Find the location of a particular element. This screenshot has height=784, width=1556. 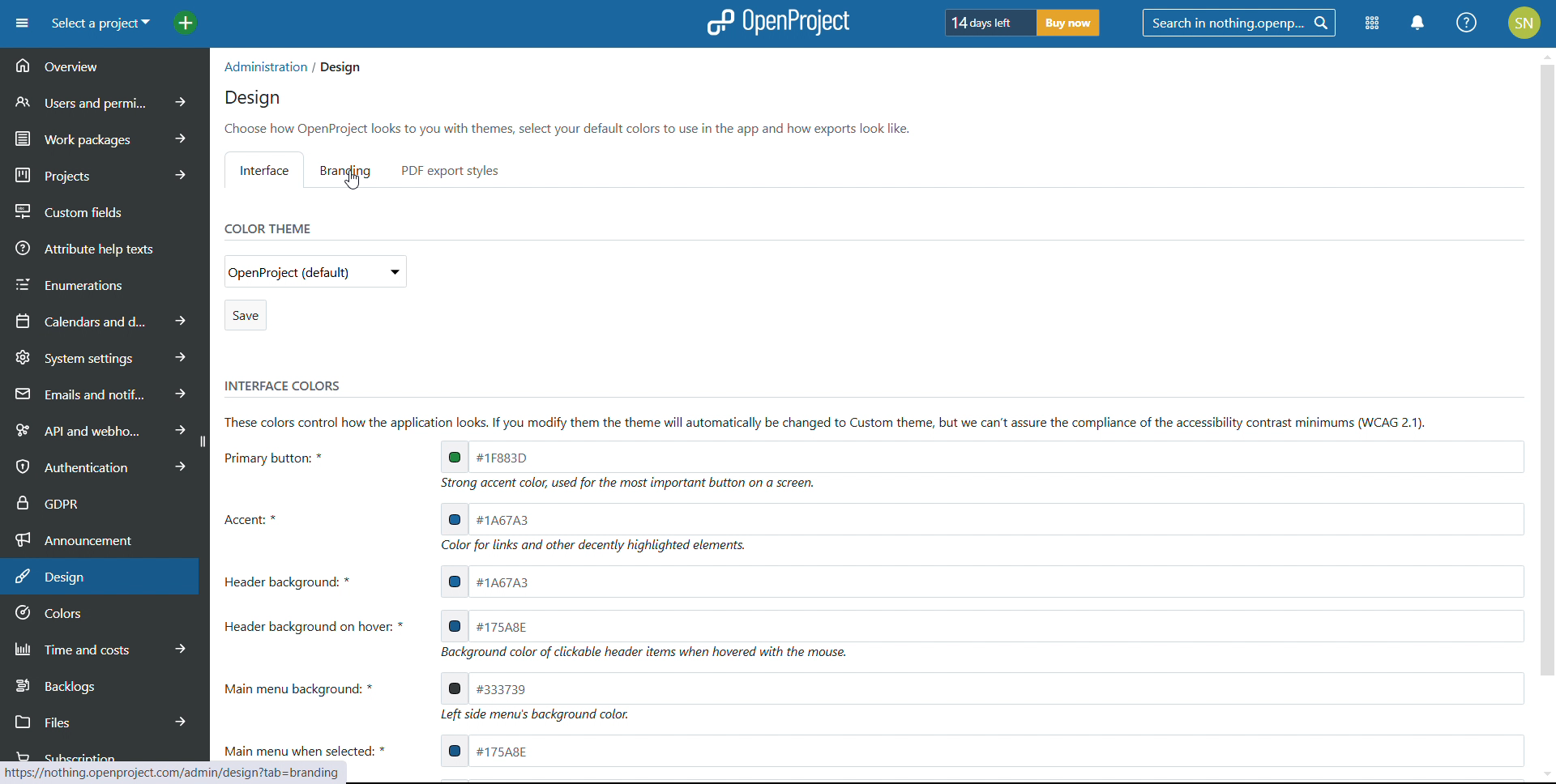

select a project is located at coordinates (100, 23).